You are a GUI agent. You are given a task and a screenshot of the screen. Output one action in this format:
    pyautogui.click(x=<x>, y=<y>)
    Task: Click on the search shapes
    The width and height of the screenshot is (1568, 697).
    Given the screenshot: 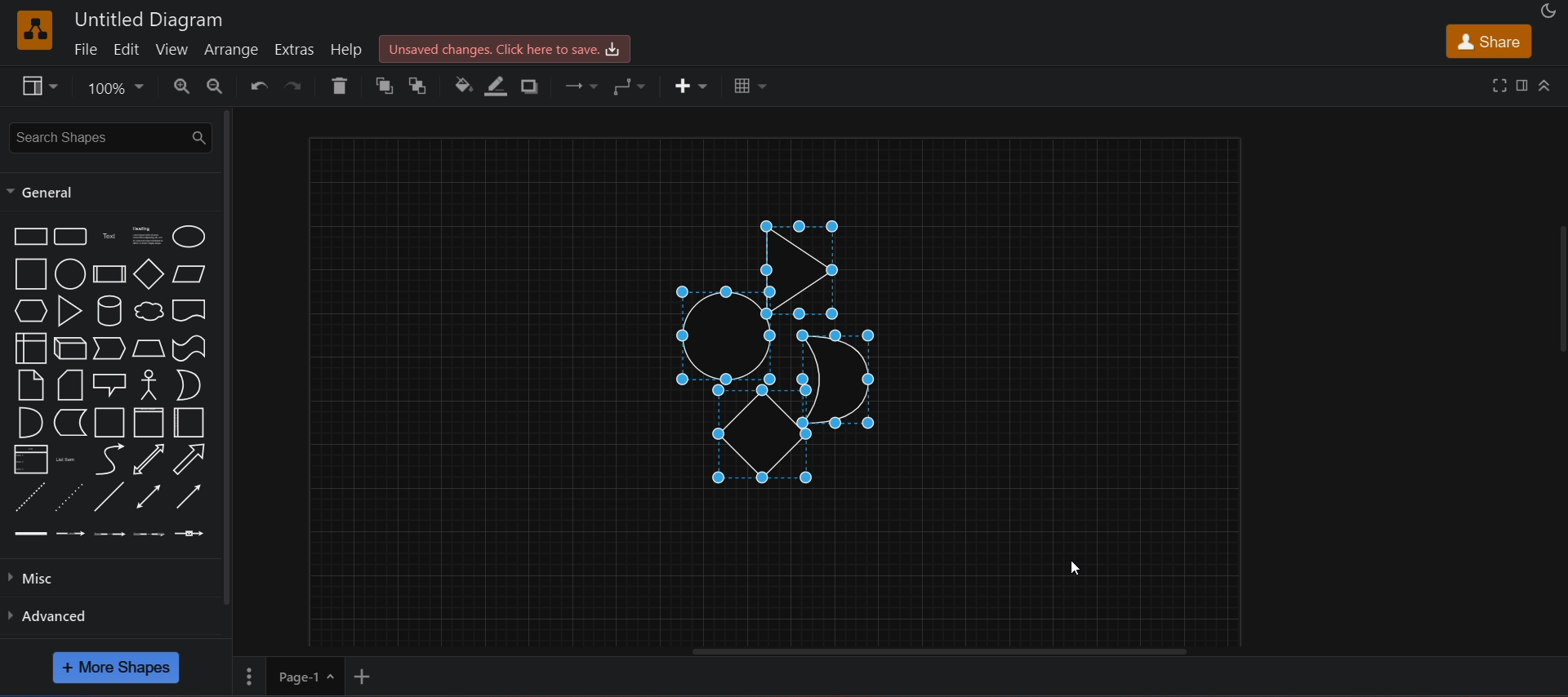 What is the action you would take?
    pyautogui.click(x=109, y=136)
    